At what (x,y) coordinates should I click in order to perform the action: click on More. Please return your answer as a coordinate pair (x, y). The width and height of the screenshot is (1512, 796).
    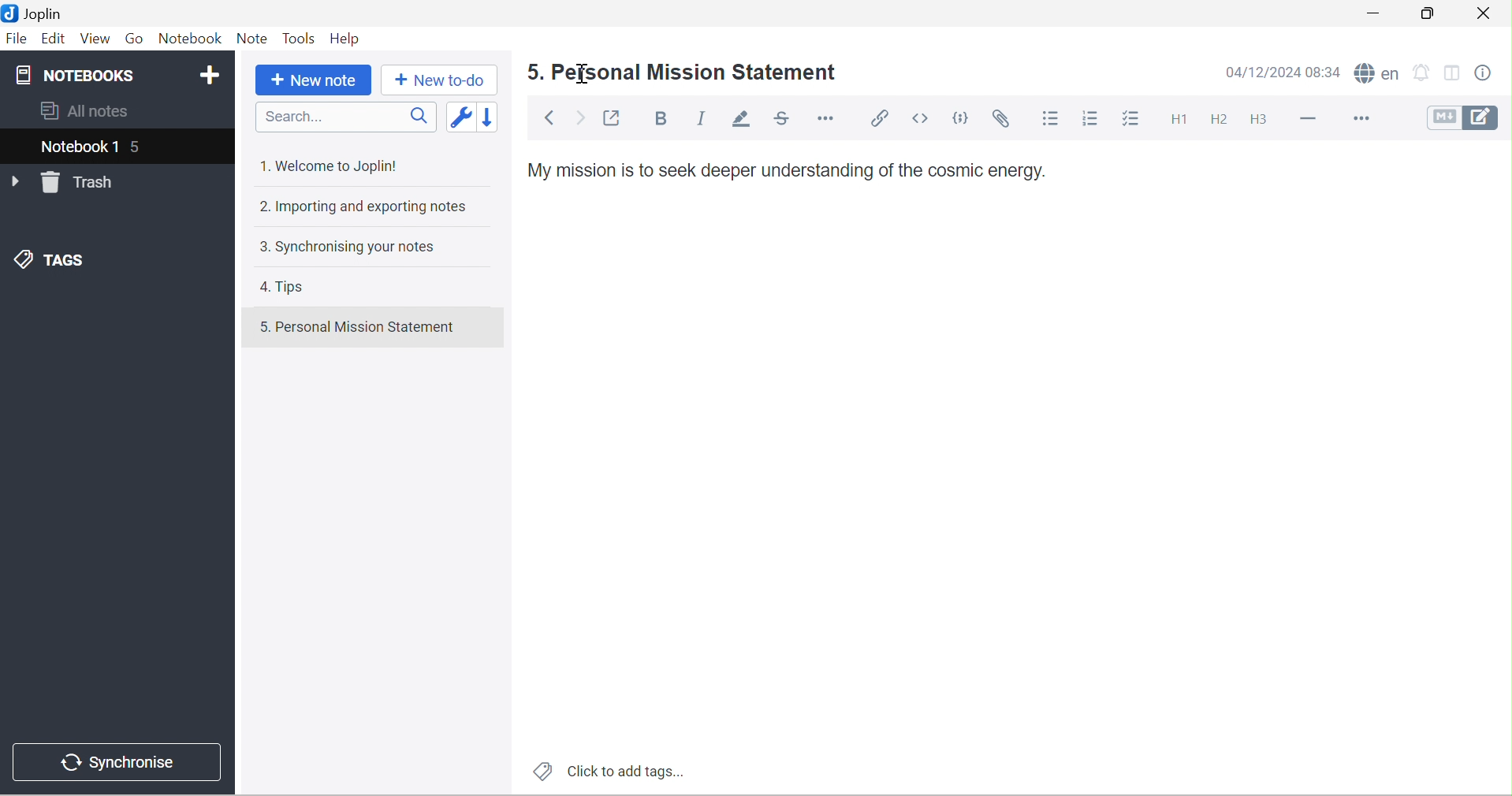
    Looking at the image, I should click on (1361, 117).